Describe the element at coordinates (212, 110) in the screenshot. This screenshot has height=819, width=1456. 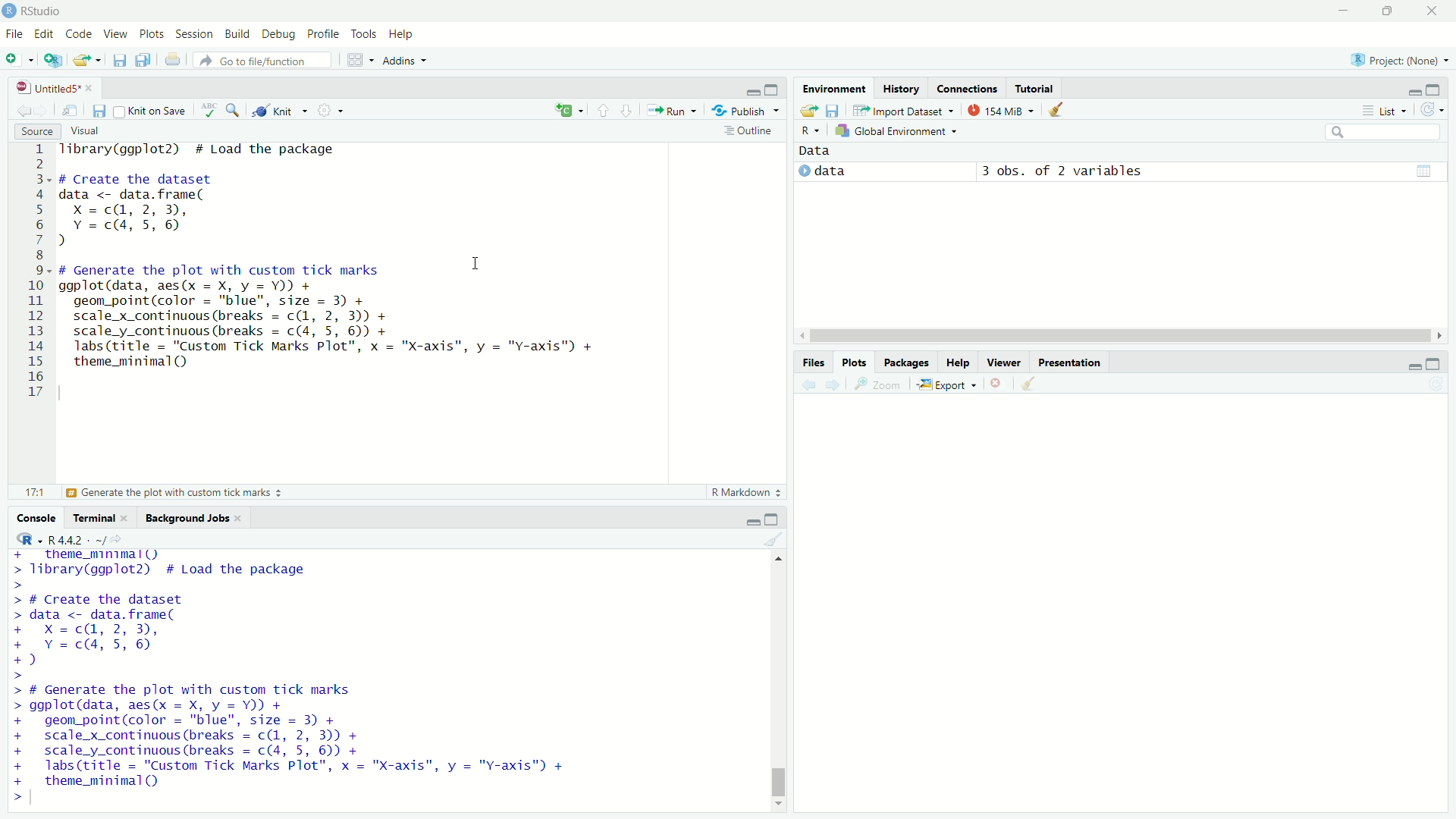
I see `spell check` at that location.